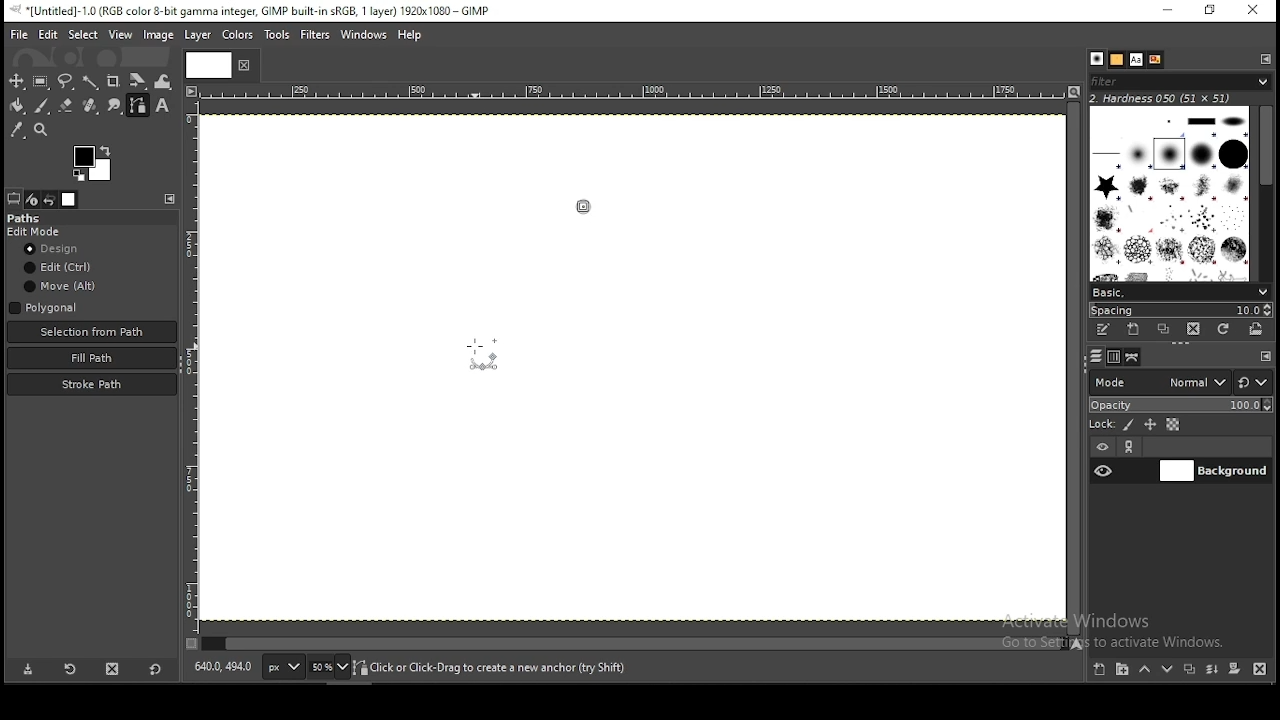  What do you see at coordinates (1235, 669) in the screenshot?
I see `add a mask` at bounding box center [1235, 669].